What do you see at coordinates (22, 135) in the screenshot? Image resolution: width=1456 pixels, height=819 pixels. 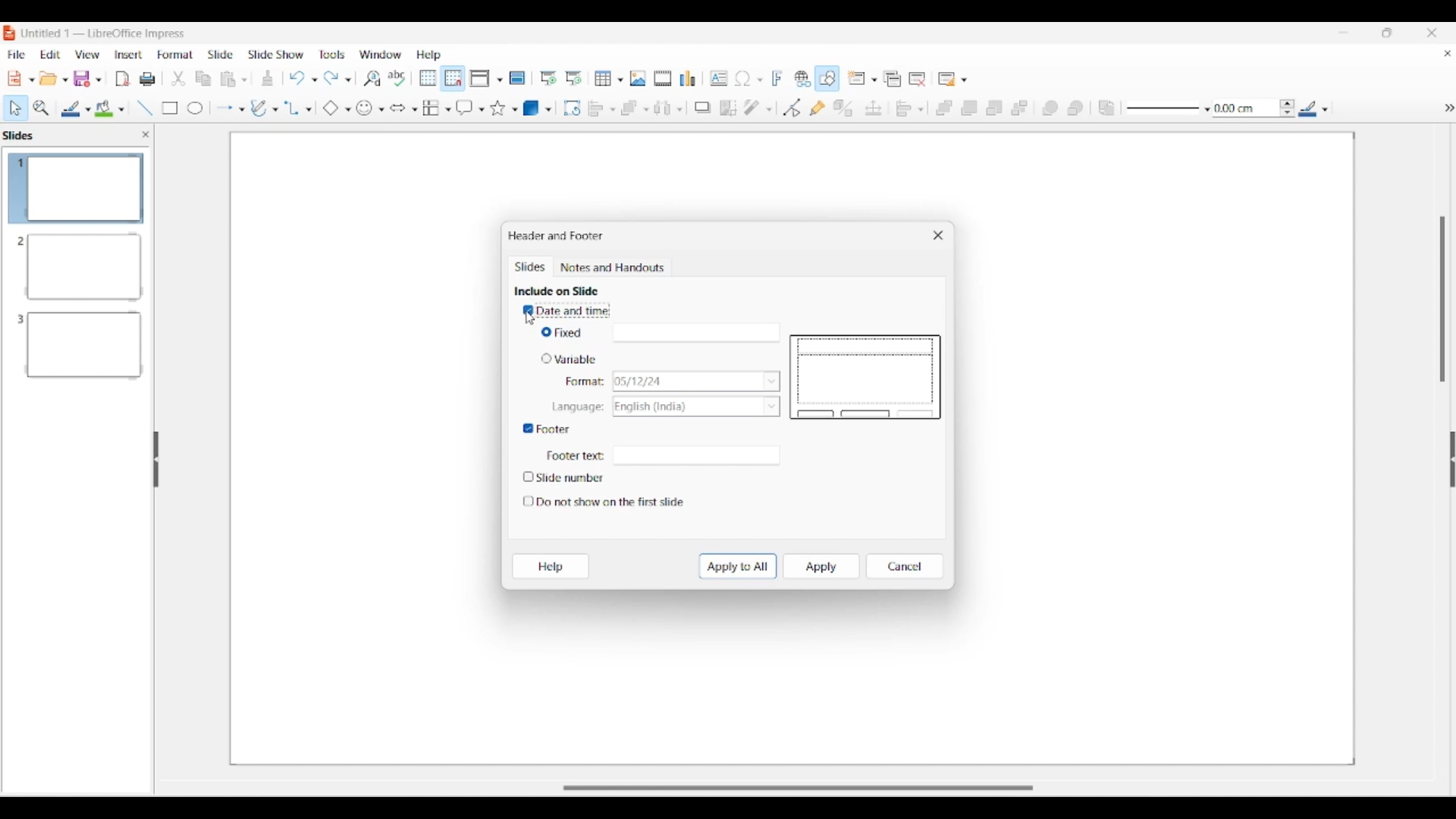 I see `Left pane title` at bounding box center [22, 135].